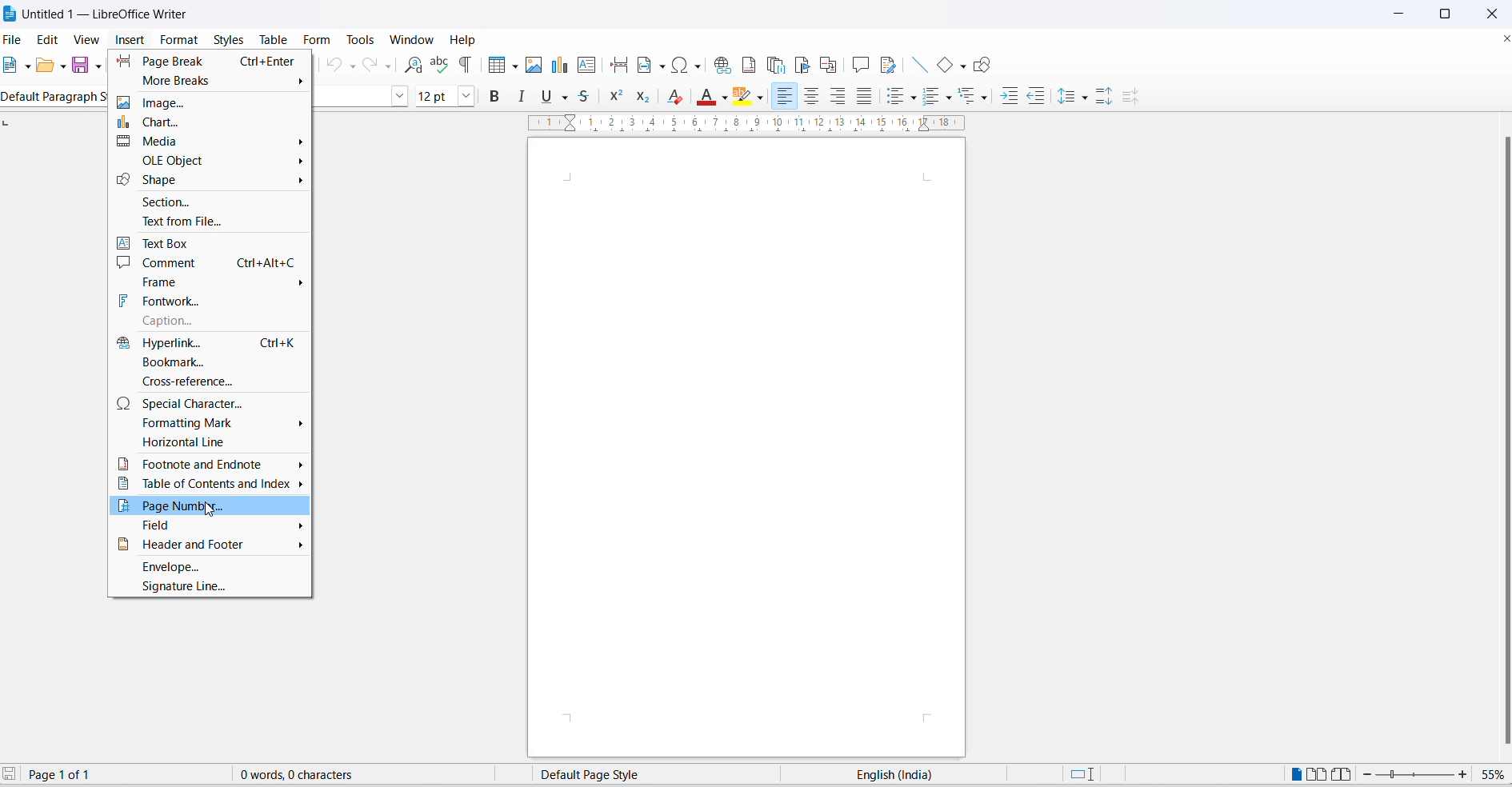 The image size is (1512, 787). Describe the element at coordinates (210, 141) in the screenshot. I see `media` at that location.